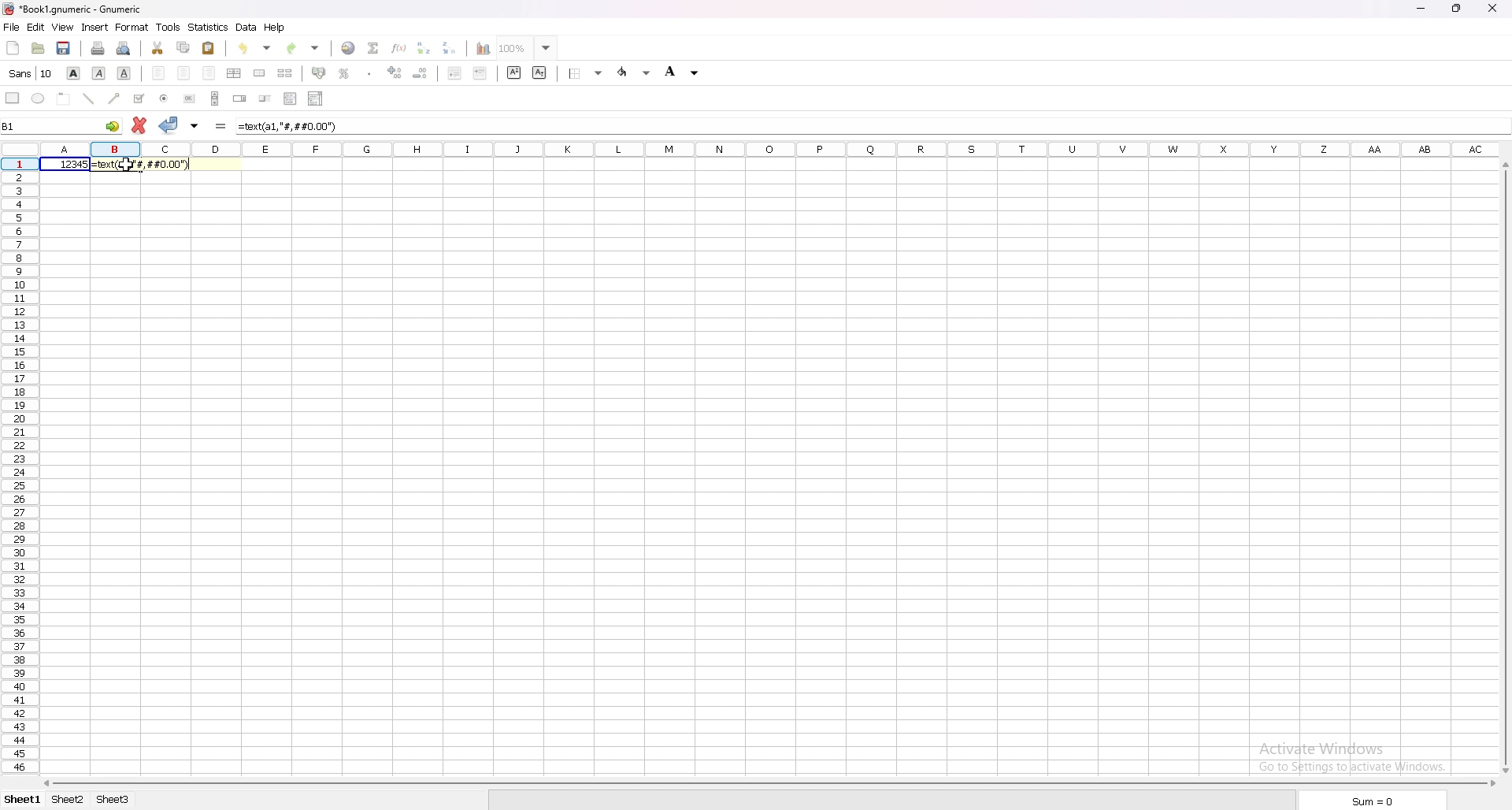 This screenshot has width=1512, height=810. I want to click on function, so click(398, 47).